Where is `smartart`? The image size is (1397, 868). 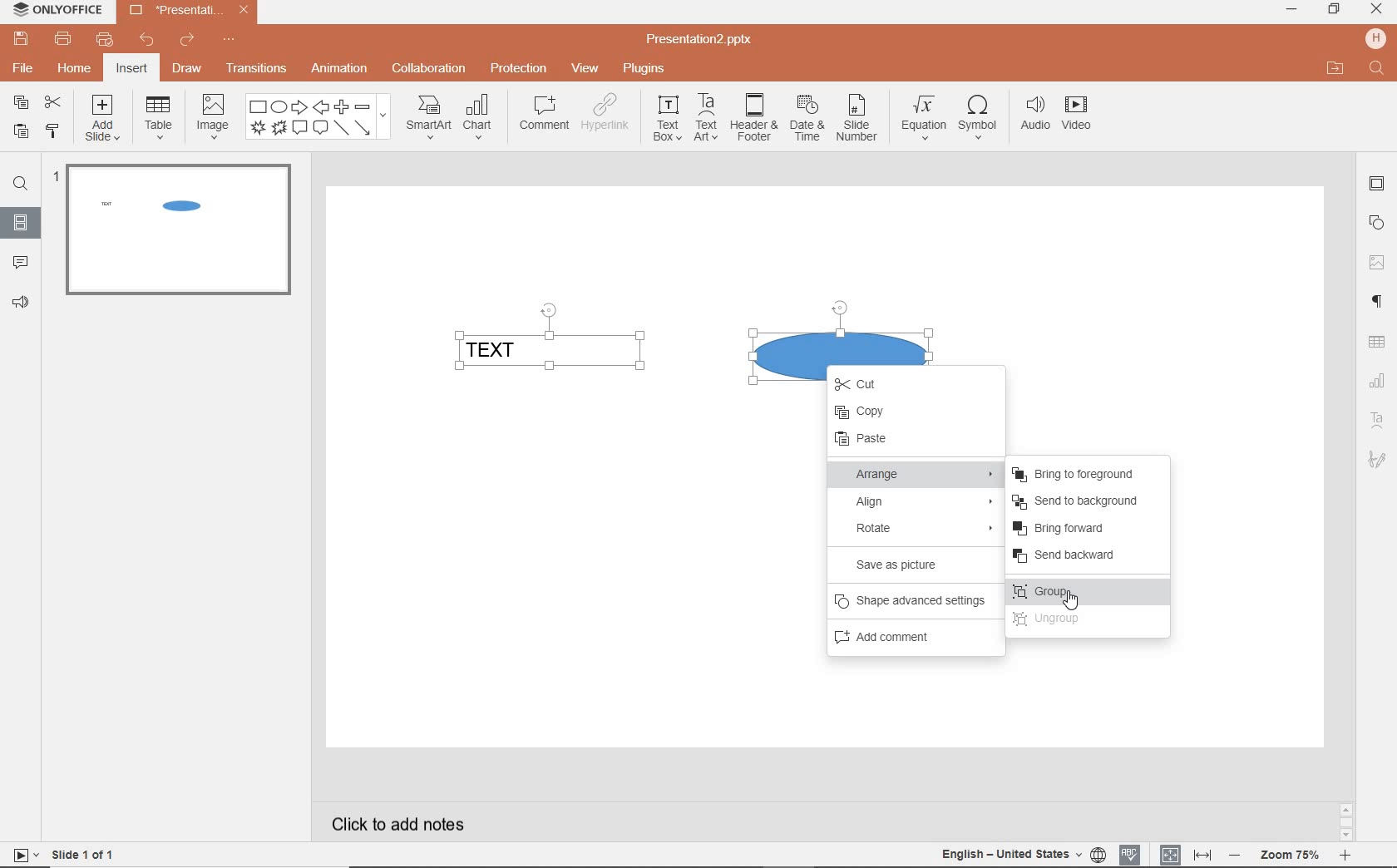
smartart is located at coordinates (428, 116).